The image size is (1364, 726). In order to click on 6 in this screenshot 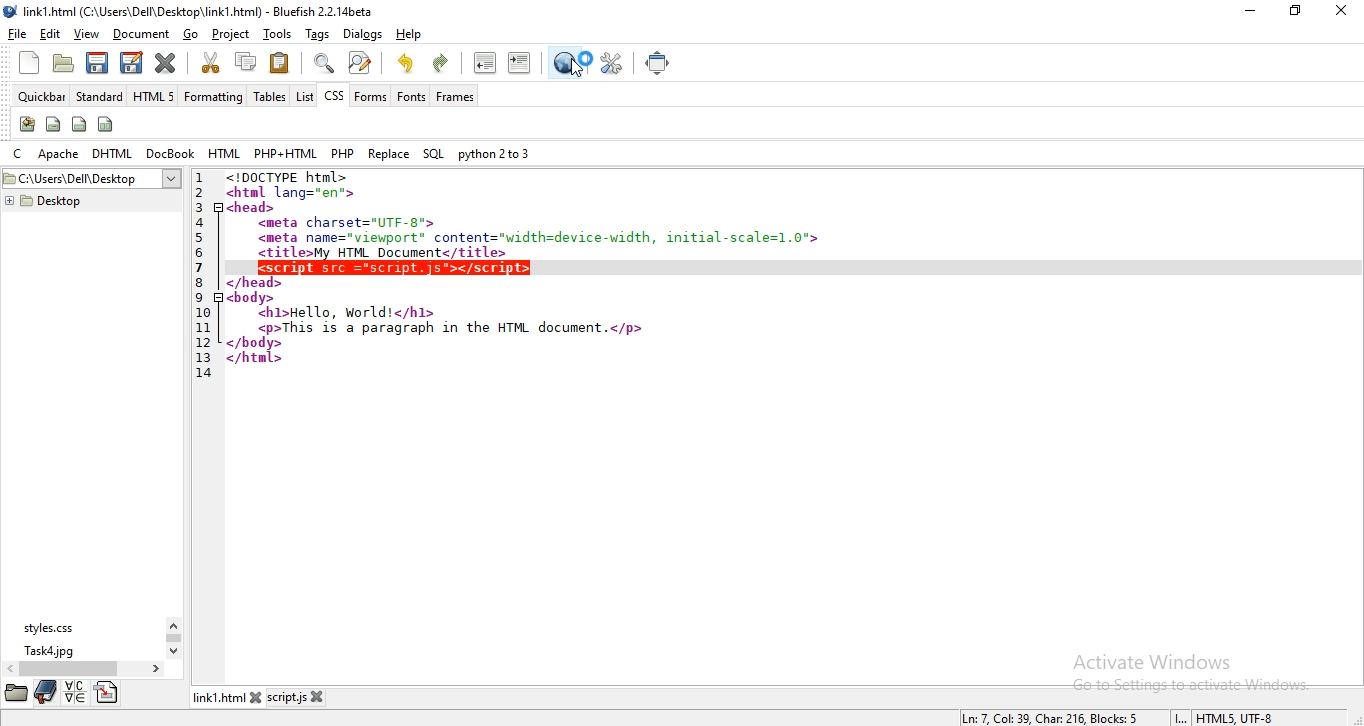, I will do `click(199, 253)`.